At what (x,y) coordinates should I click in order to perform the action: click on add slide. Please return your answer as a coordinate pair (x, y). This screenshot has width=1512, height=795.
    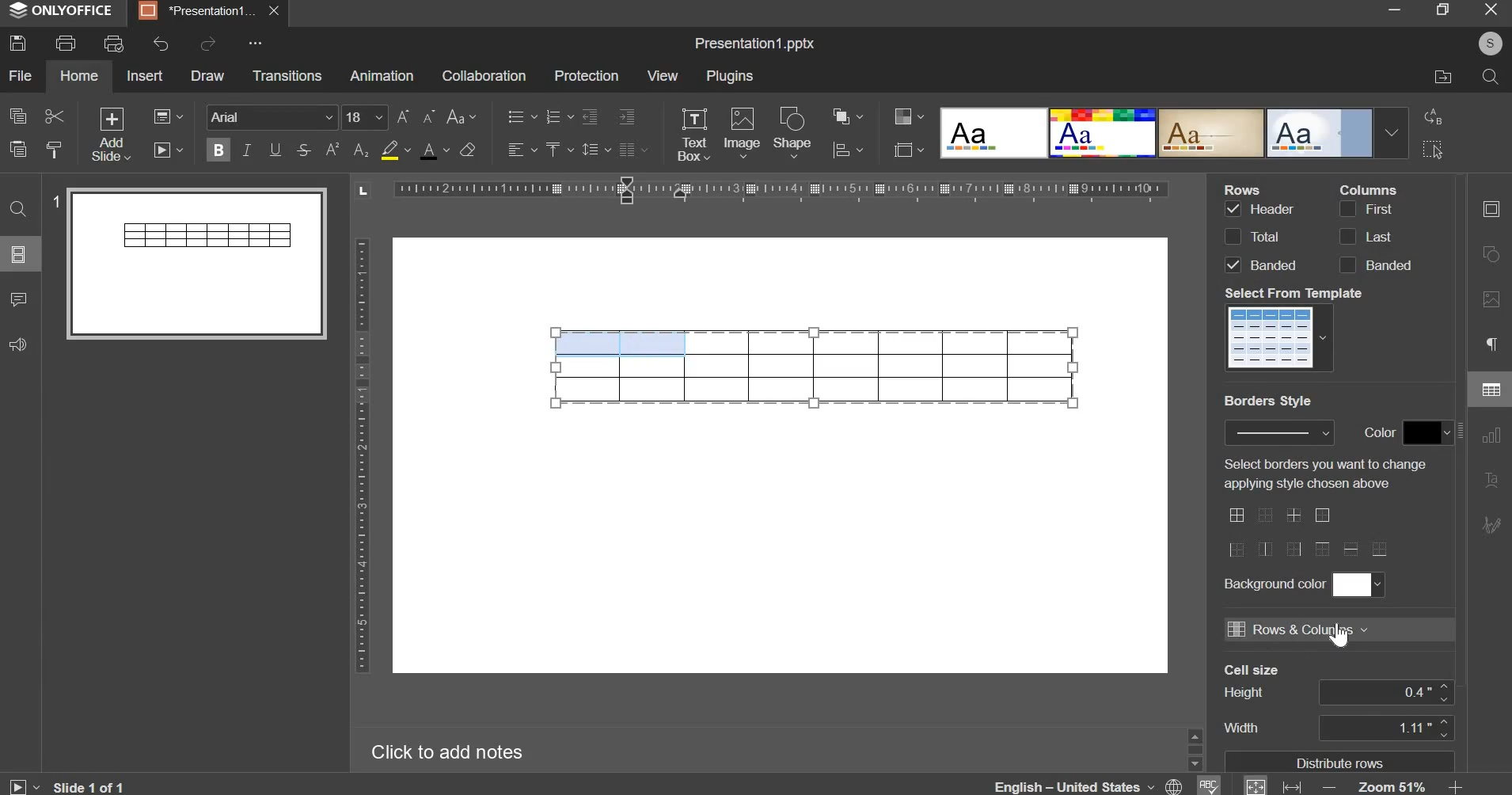
    Looking at the image, I should click on (112, 135).